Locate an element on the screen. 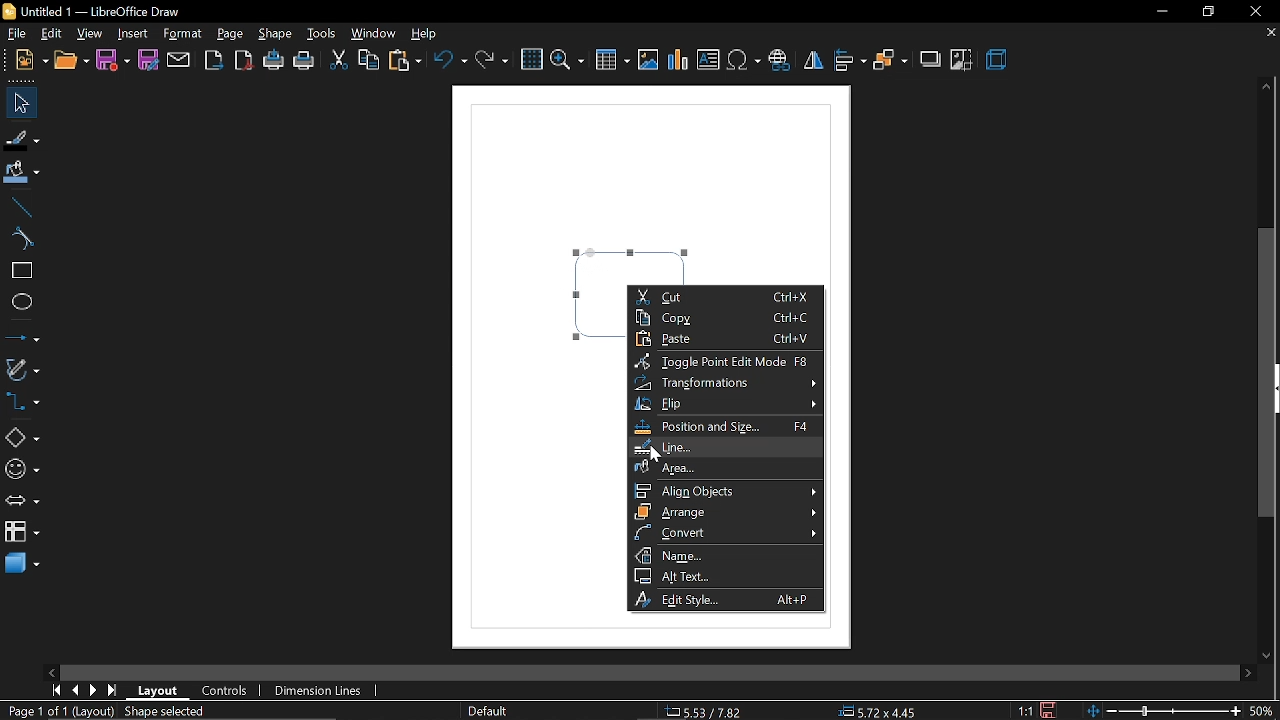 The height and width of the screenshot is (720, 1280). align objects is located at coordinates (728, 491).